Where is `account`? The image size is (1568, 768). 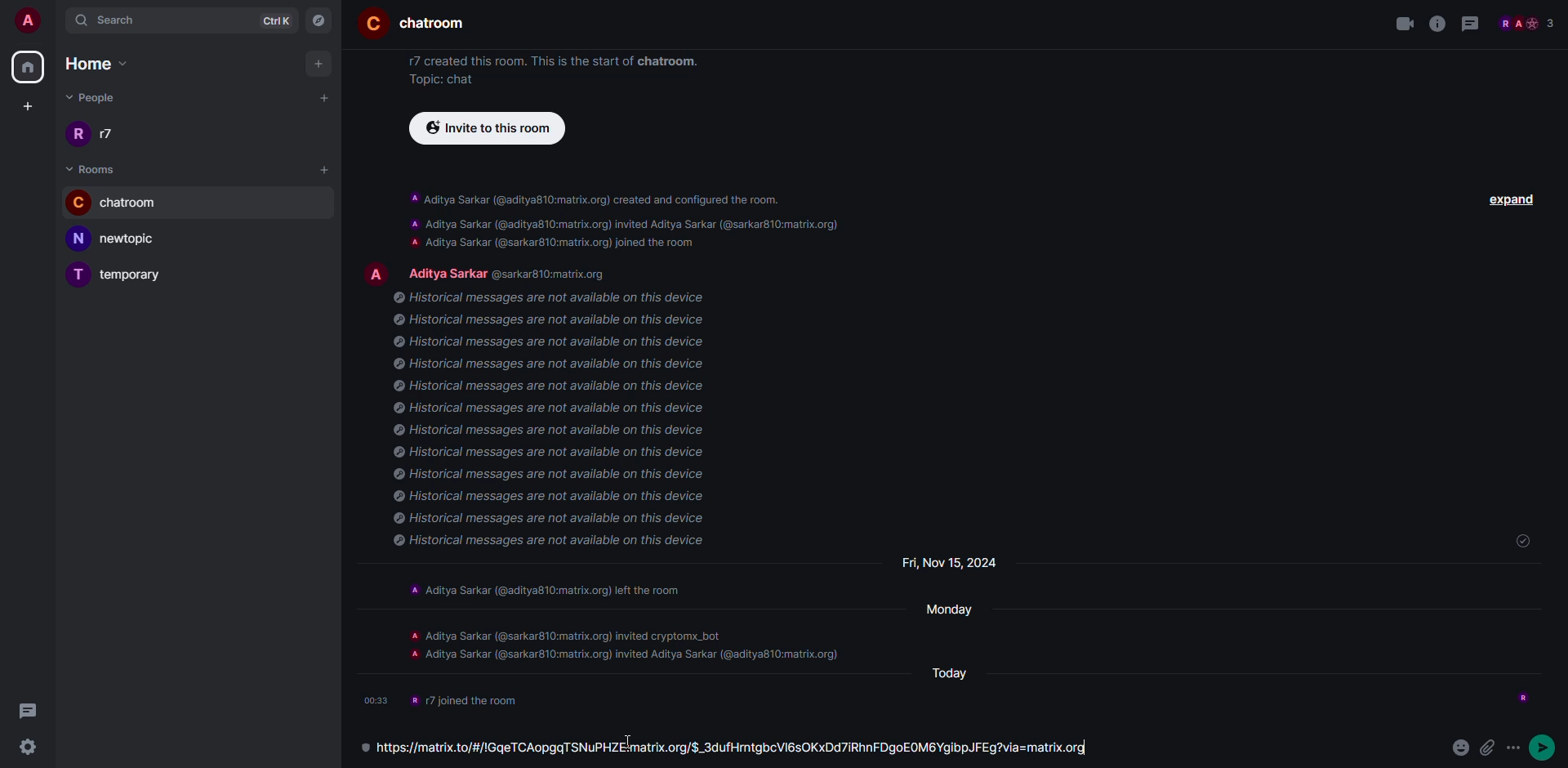
account is located at coordinates (28, 20).